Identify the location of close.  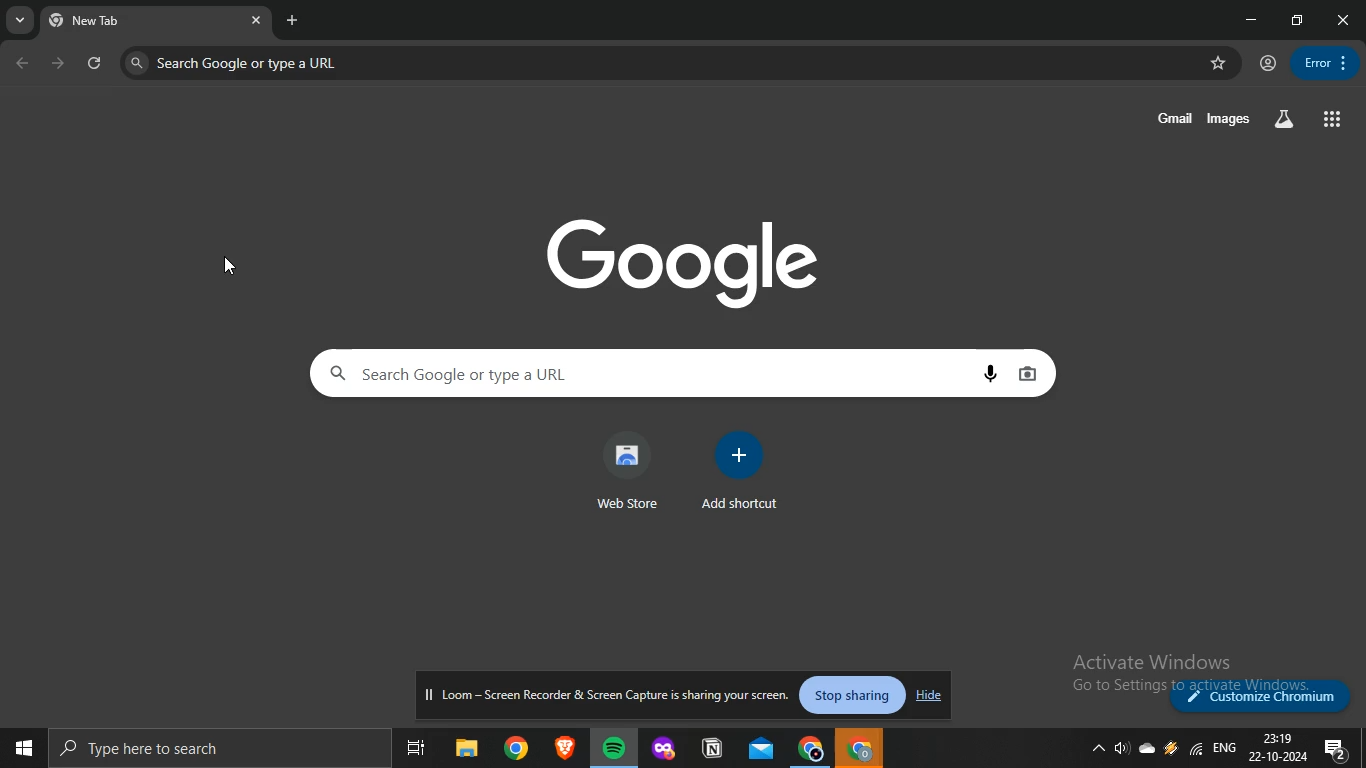
(1344, 20).